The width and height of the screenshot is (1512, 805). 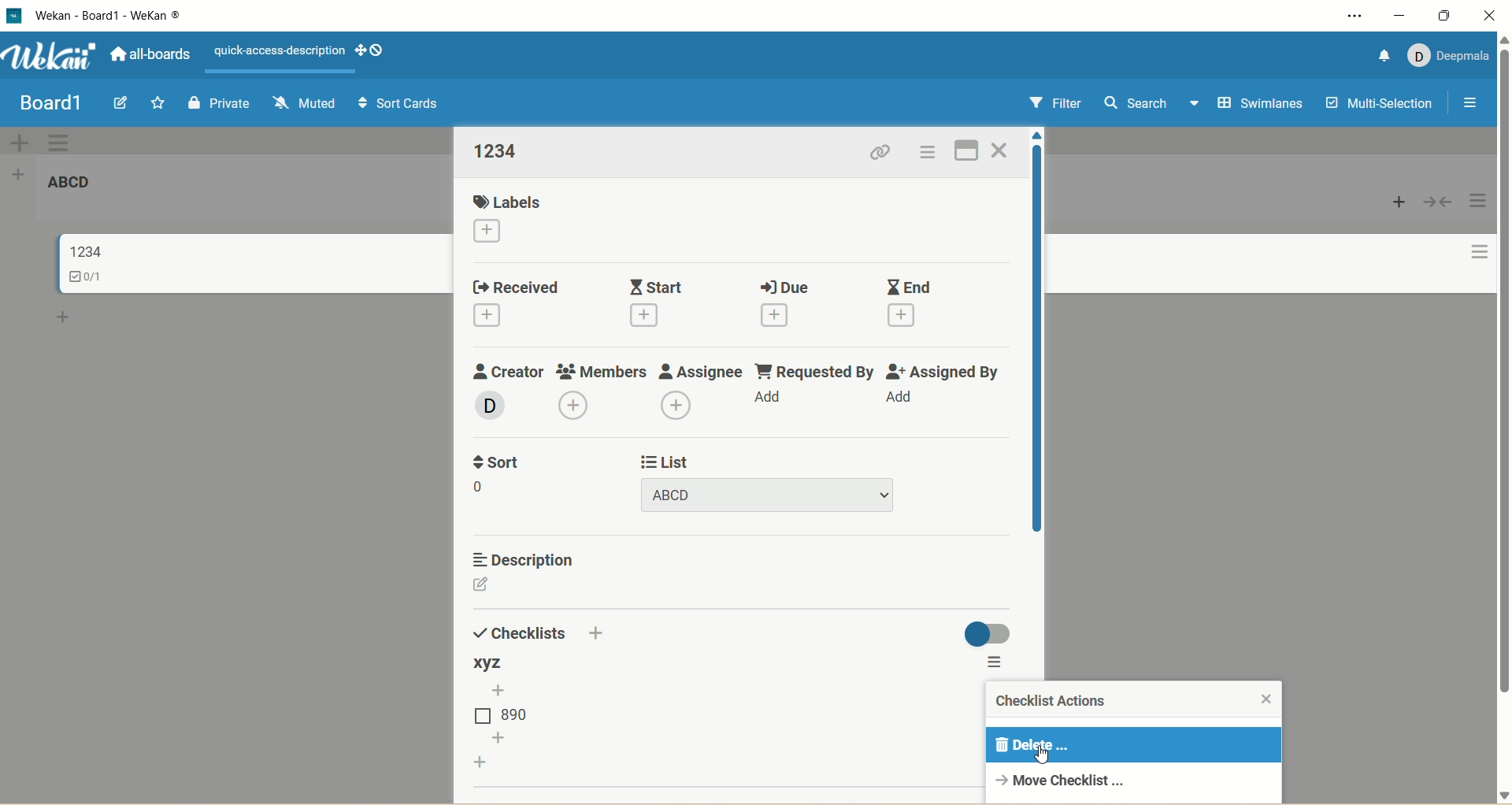 I want to click on more options, so click(x=1002, y=665).